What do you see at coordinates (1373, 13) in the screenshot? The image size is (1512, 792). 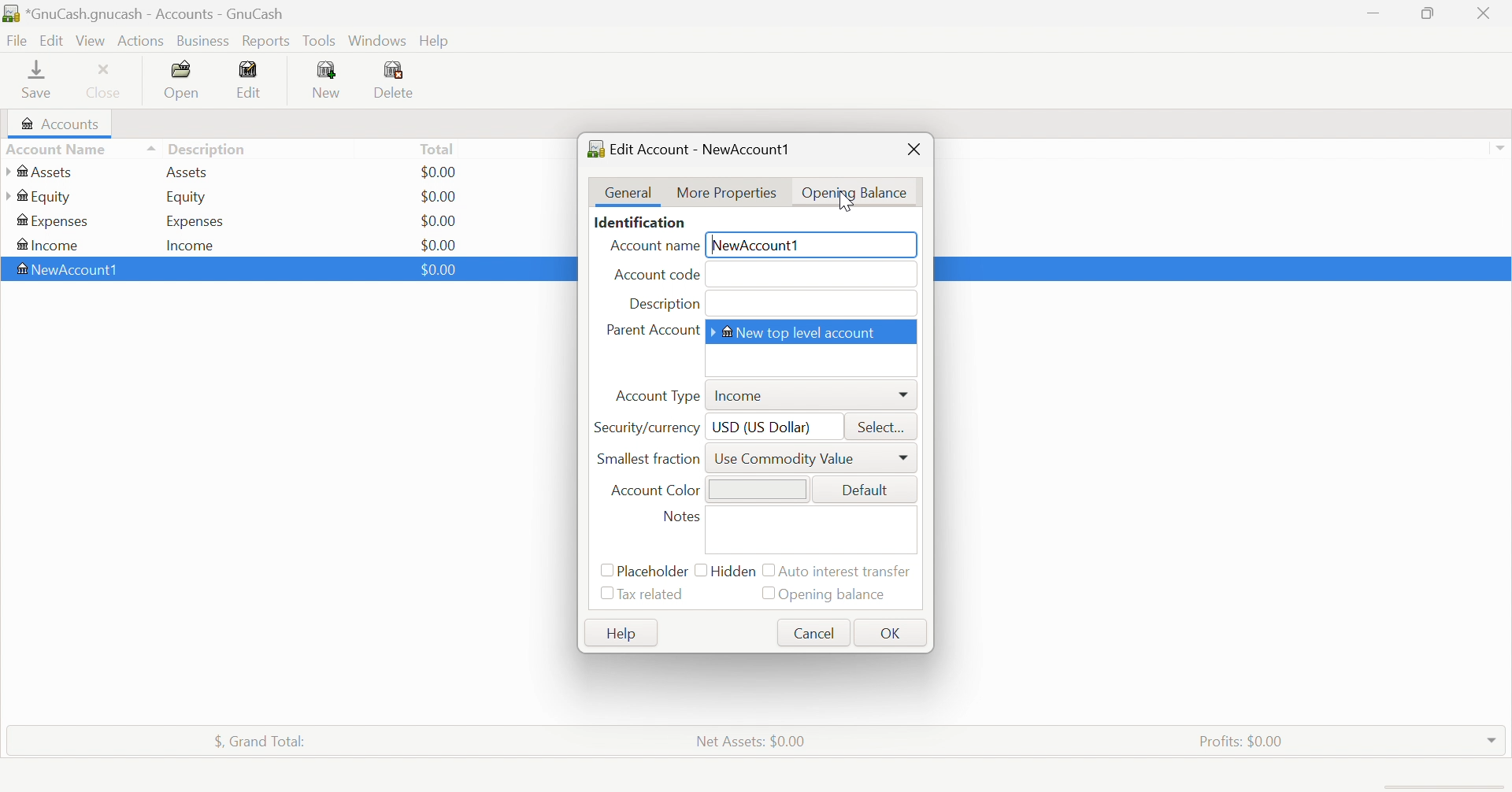 I see `Minimize` at bounding box center [1373, 13].